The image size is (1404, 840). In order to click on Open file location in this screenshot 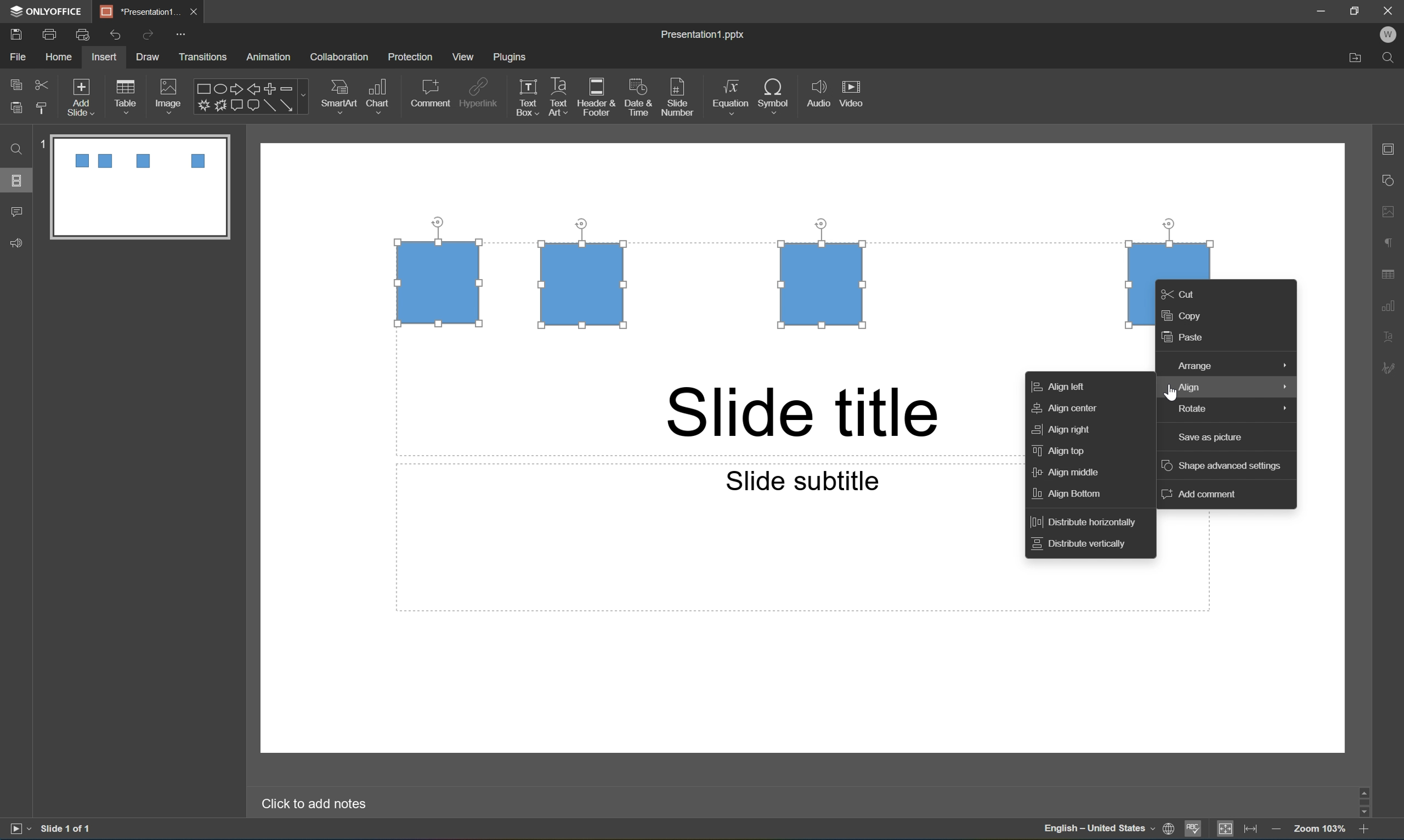, I will do `click(1353, 59)`.